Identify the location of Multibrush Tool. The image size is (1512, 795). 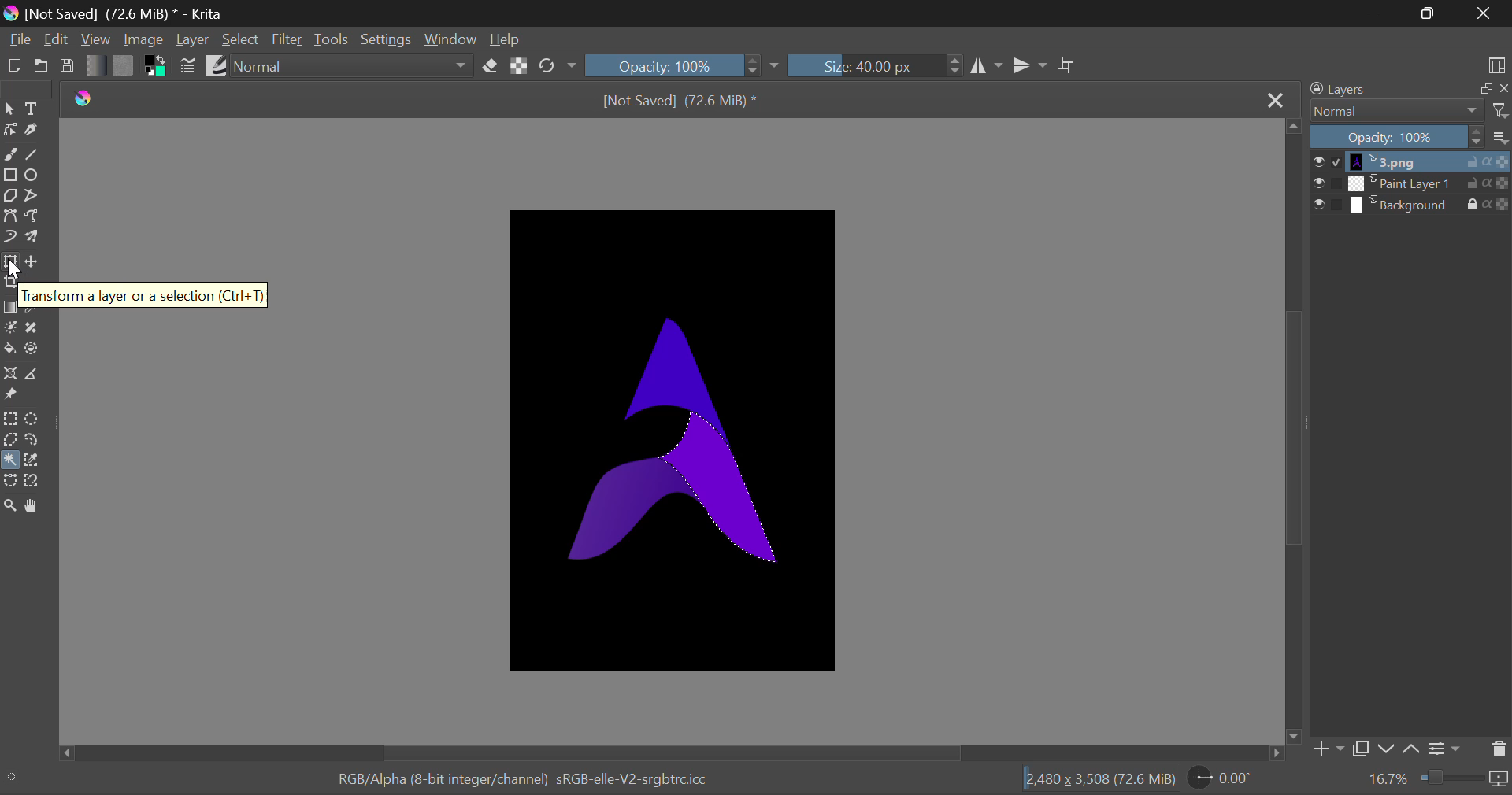
(35, 239).